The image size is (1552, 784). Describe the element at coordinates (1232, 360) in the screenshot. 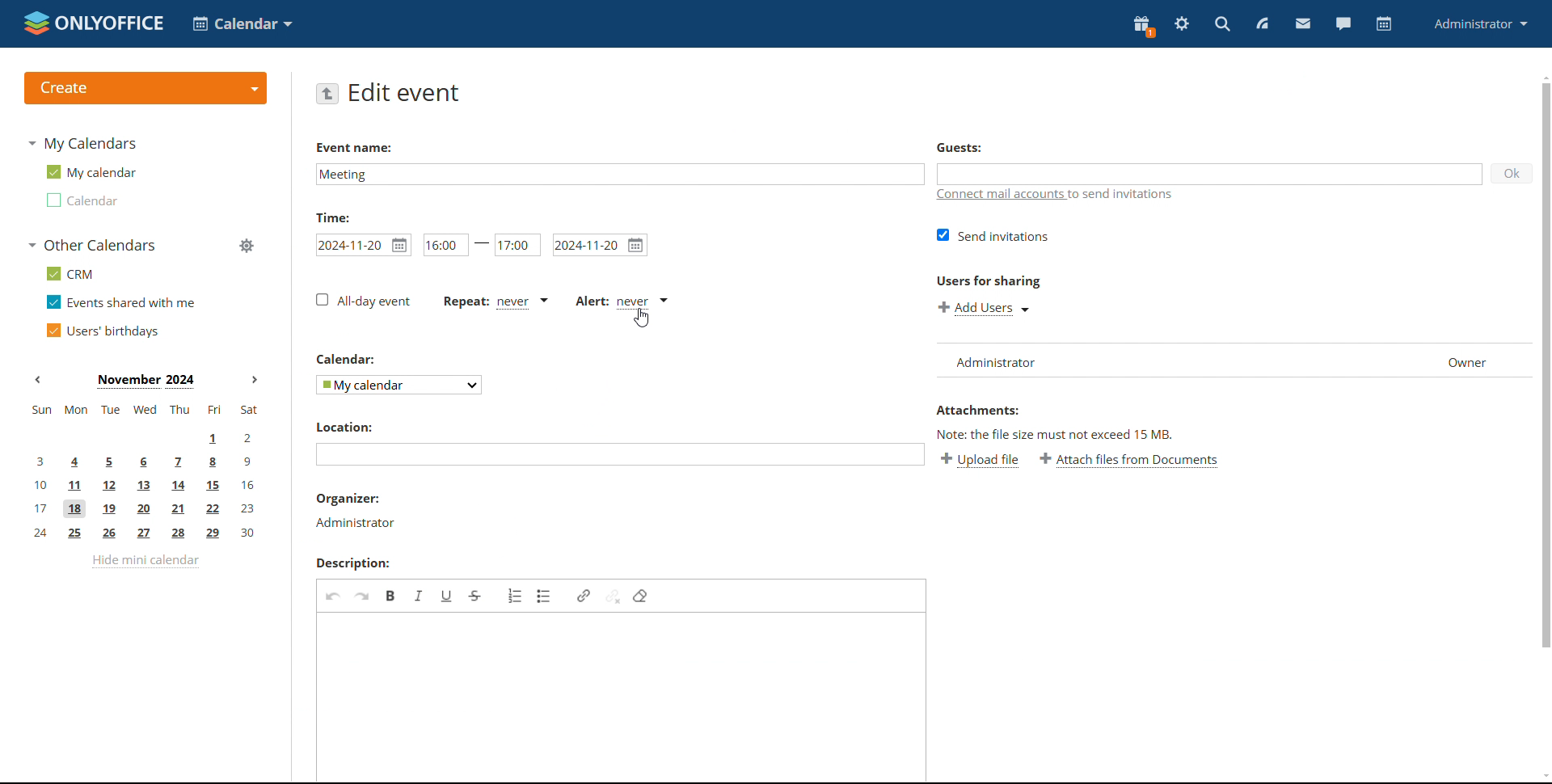

I see `list of users` at that location.